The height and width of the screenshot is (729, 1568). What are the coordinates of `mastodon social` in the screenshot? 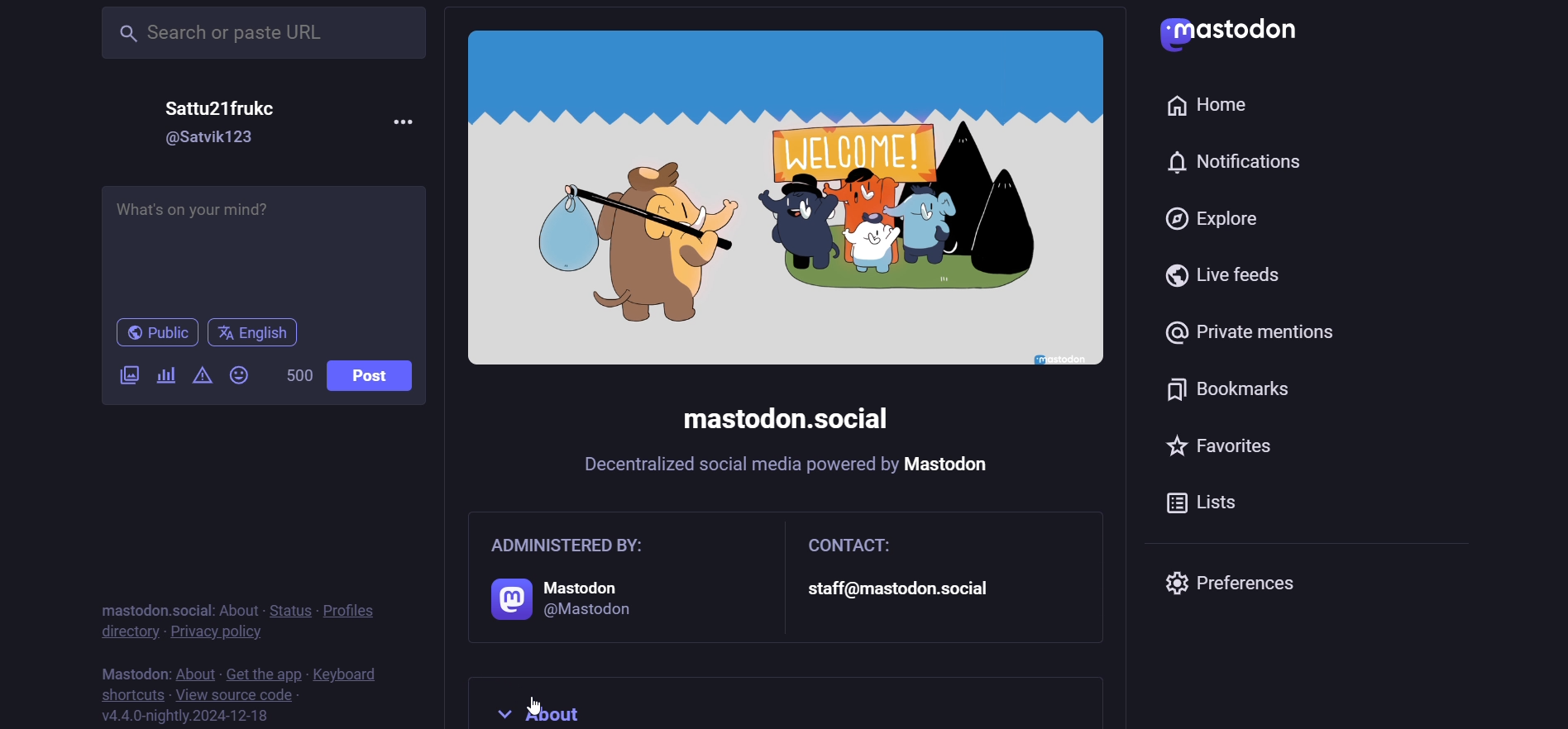 It's located at (148, 609).